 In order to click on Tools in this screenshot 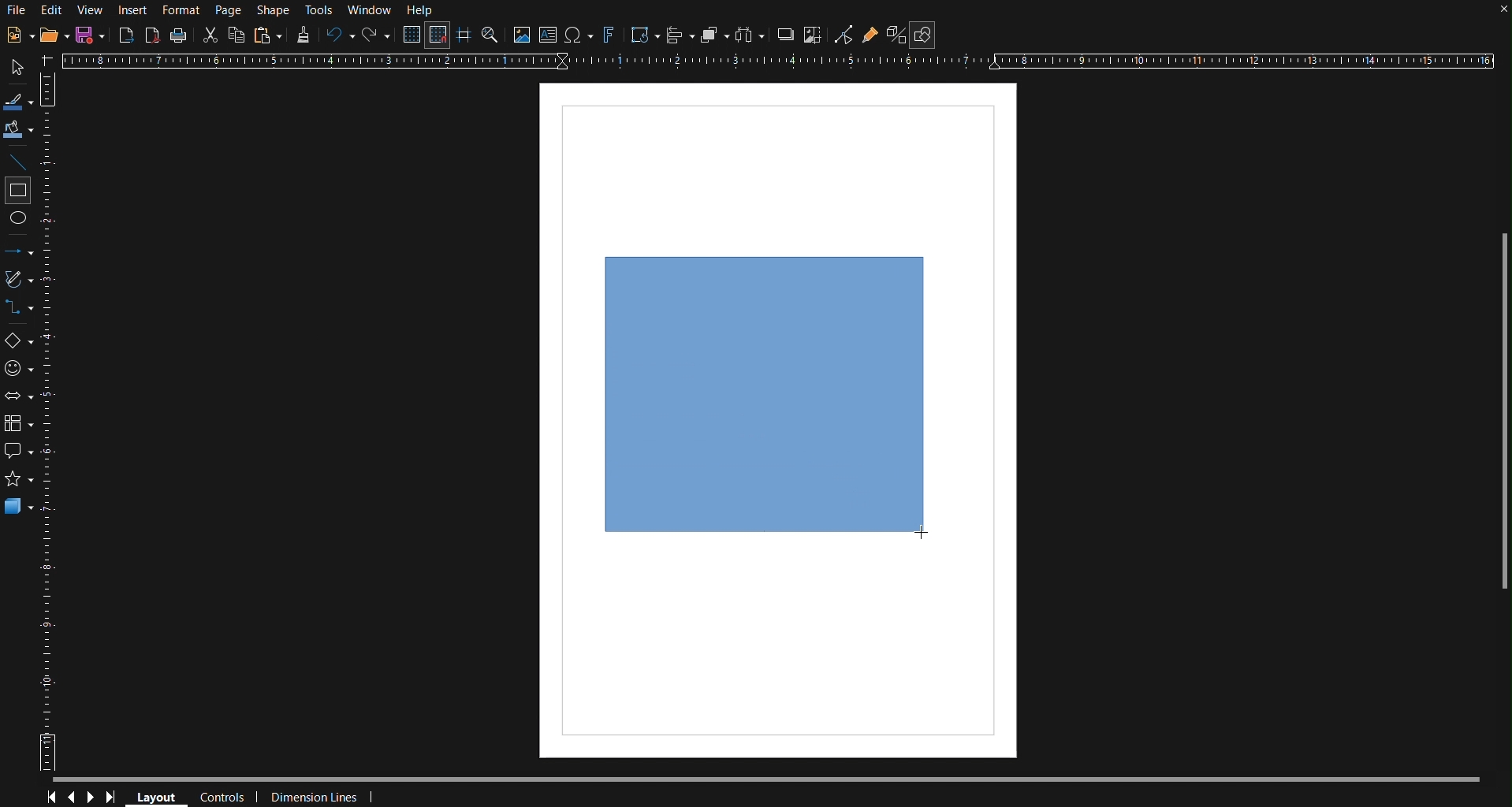, I will do `click(321, 11)`.